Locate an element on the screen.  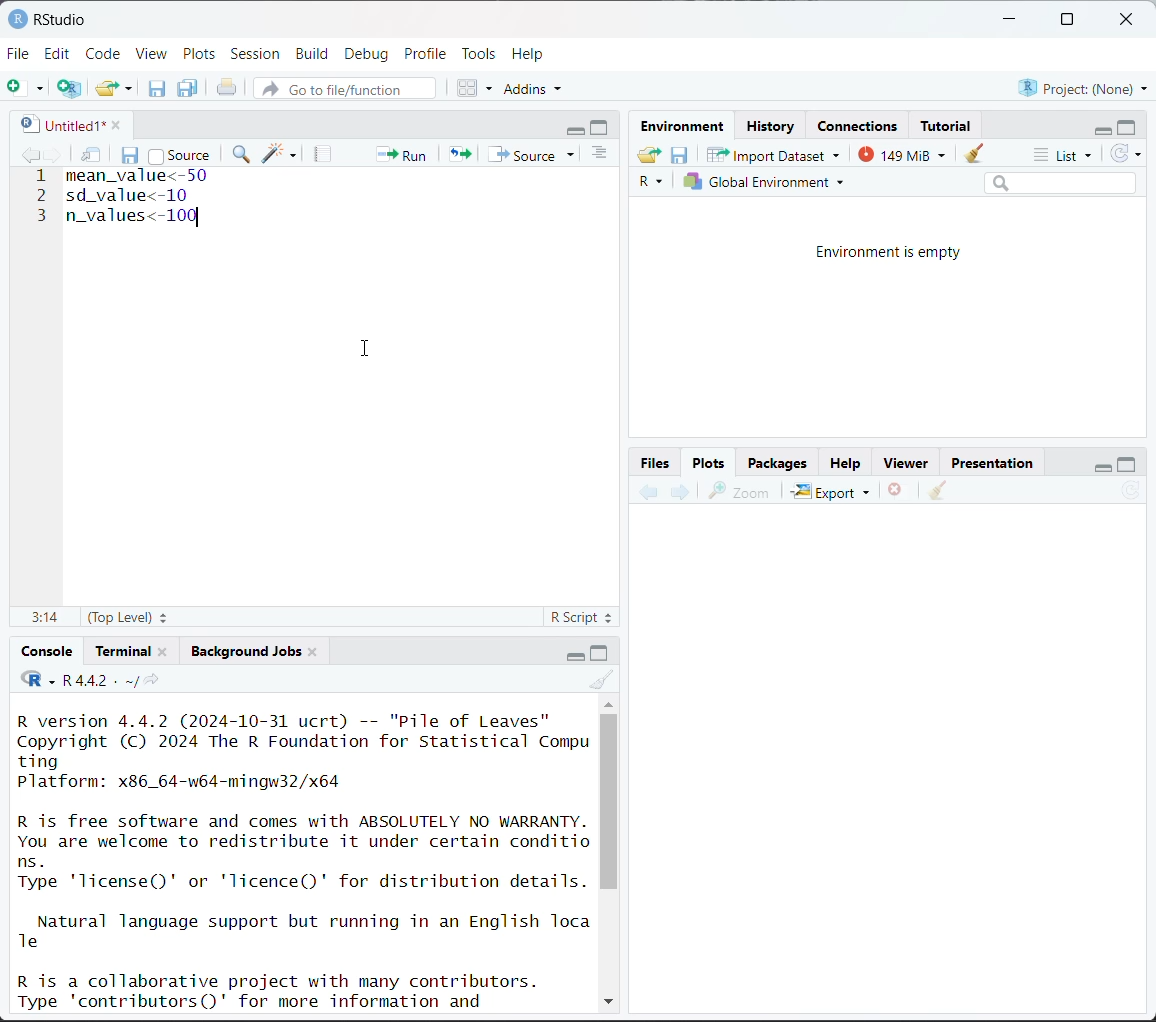
File is located at coordinates (19, 53).